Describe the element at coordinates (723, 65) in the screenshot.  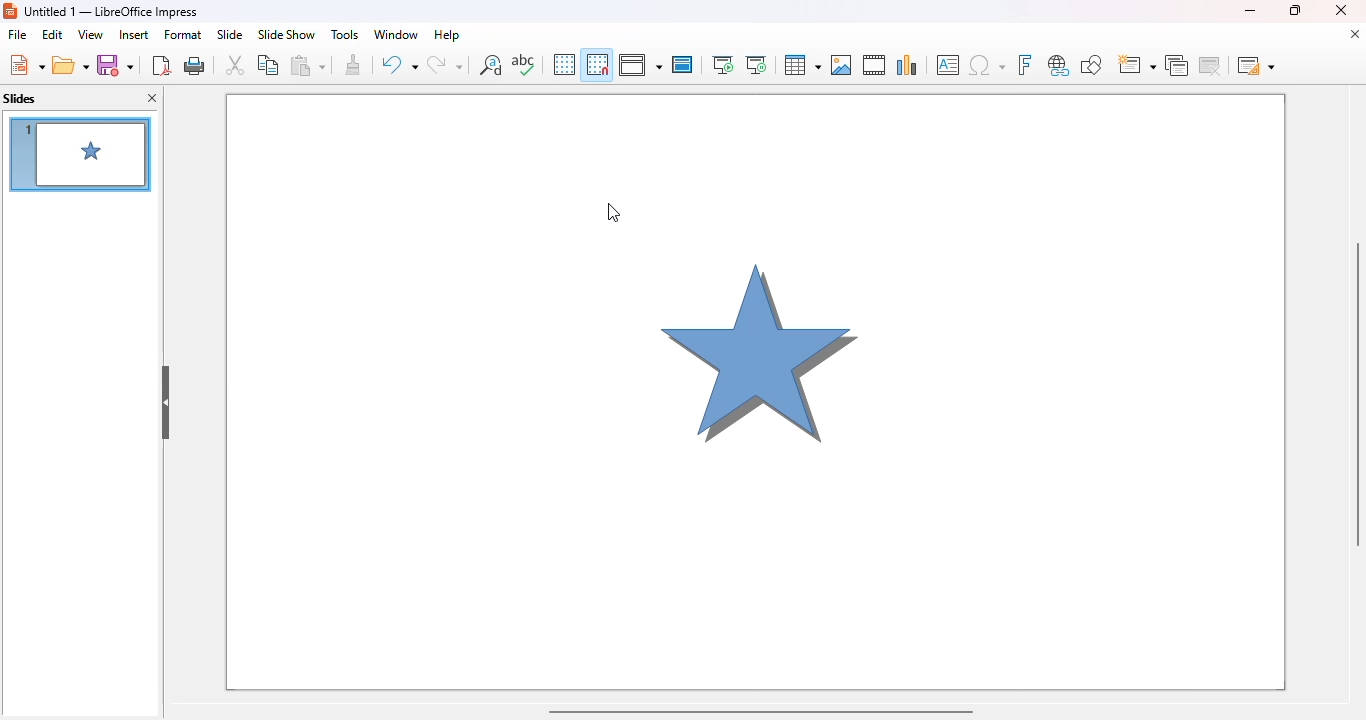
I see `start from first slide` at that location.